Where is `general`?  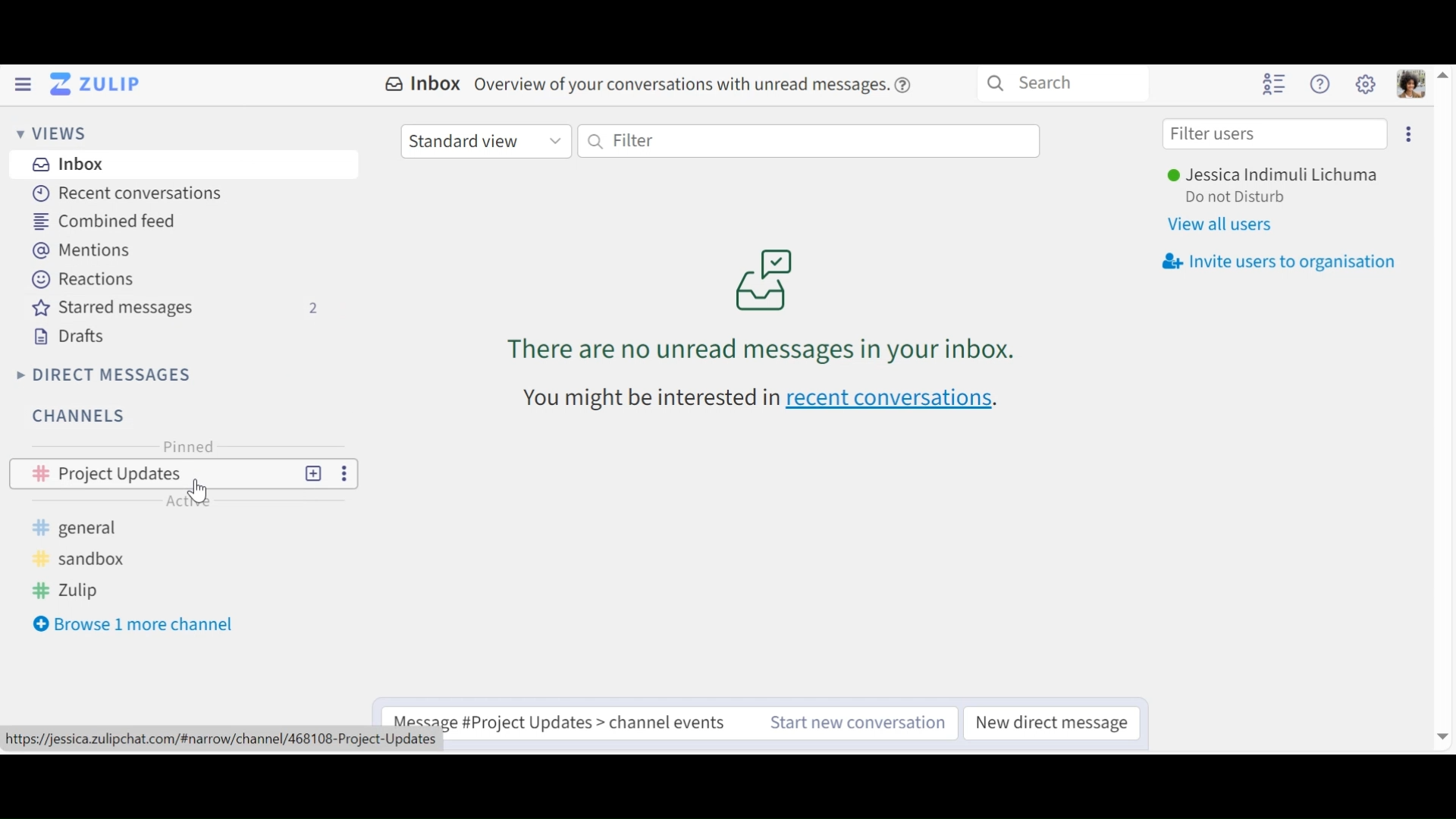
general is located at coordinates (83, 527).